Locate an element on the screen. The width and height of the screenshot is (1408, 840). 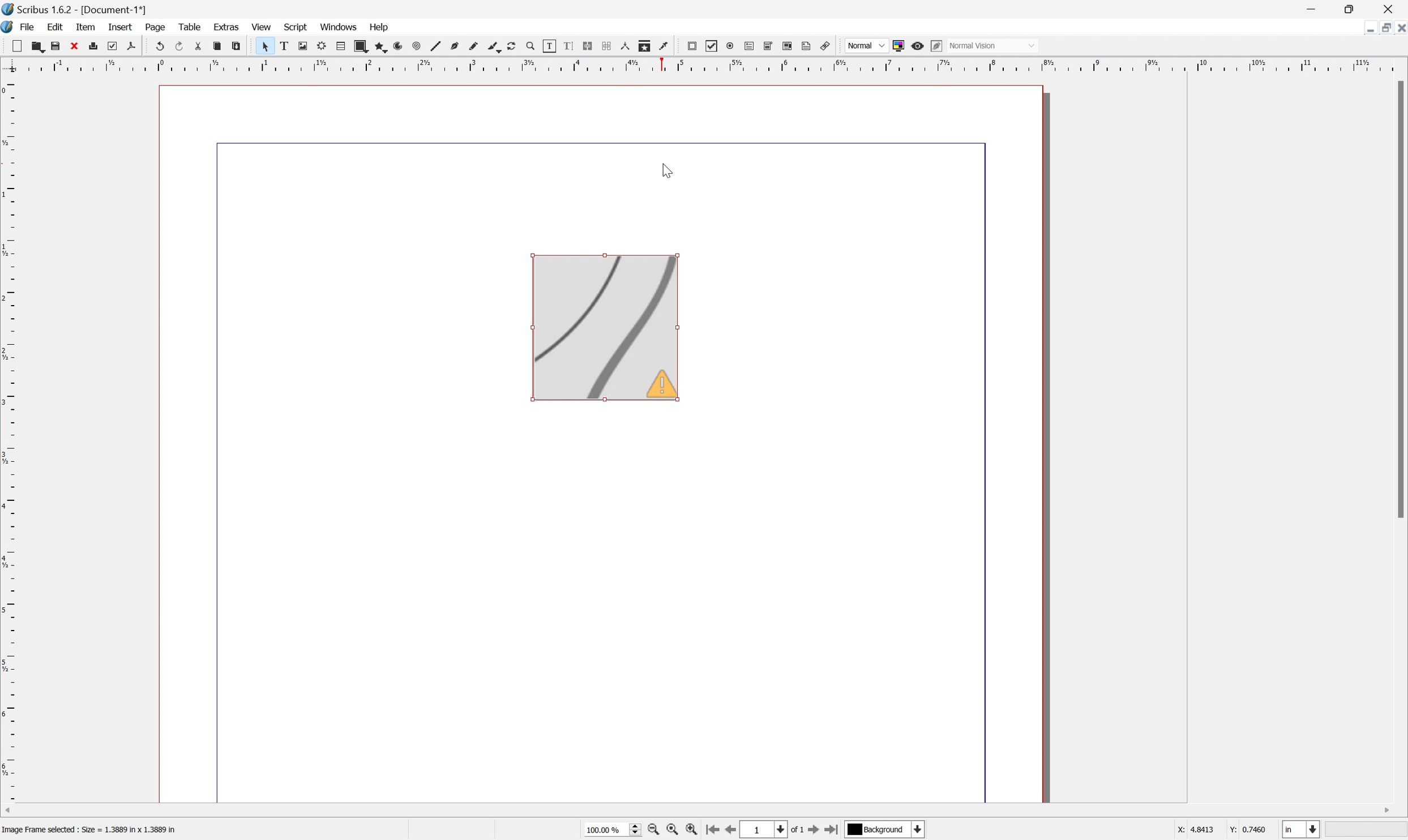
Bezier curve is located at coordinates (458, 47).